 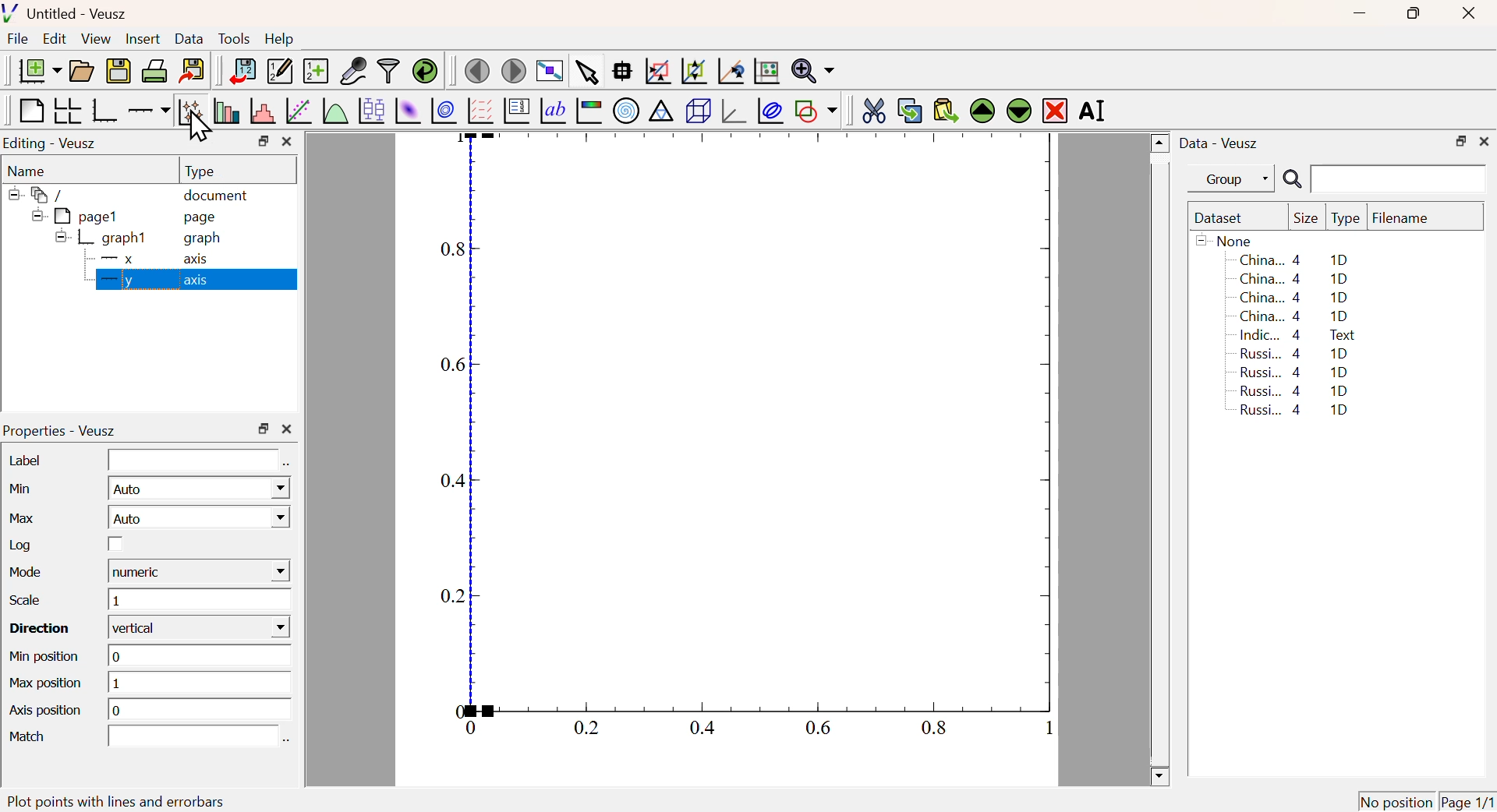 What do you see at coordinates (1018, 110) in the screenshot?
I see `Move Down` at bounding box center [1018, 110].